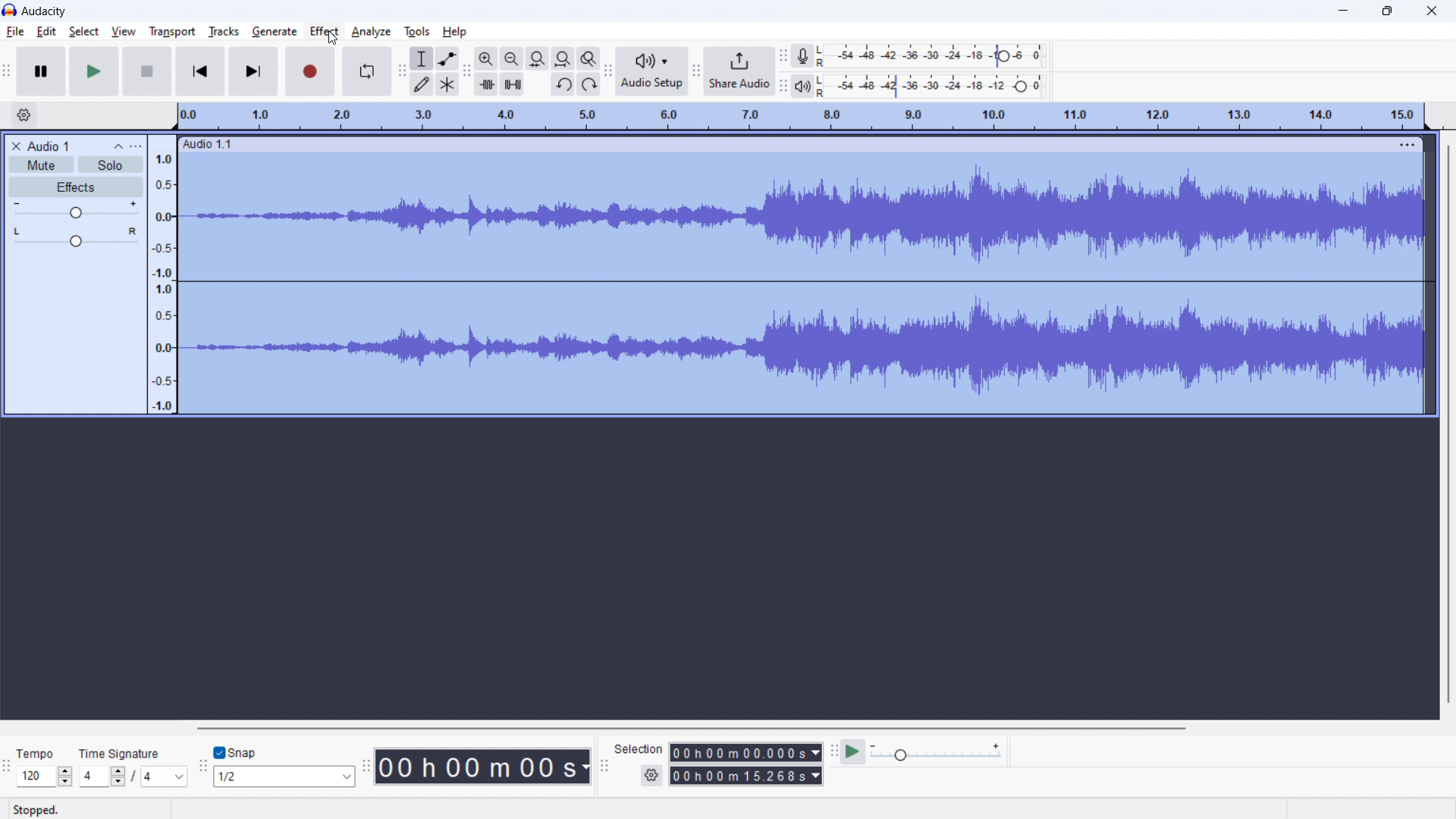  What do you see at coordinates (1449, 419) in the screenshot?
I see `vertical scrollbar` at bounding box center [1449, 419].